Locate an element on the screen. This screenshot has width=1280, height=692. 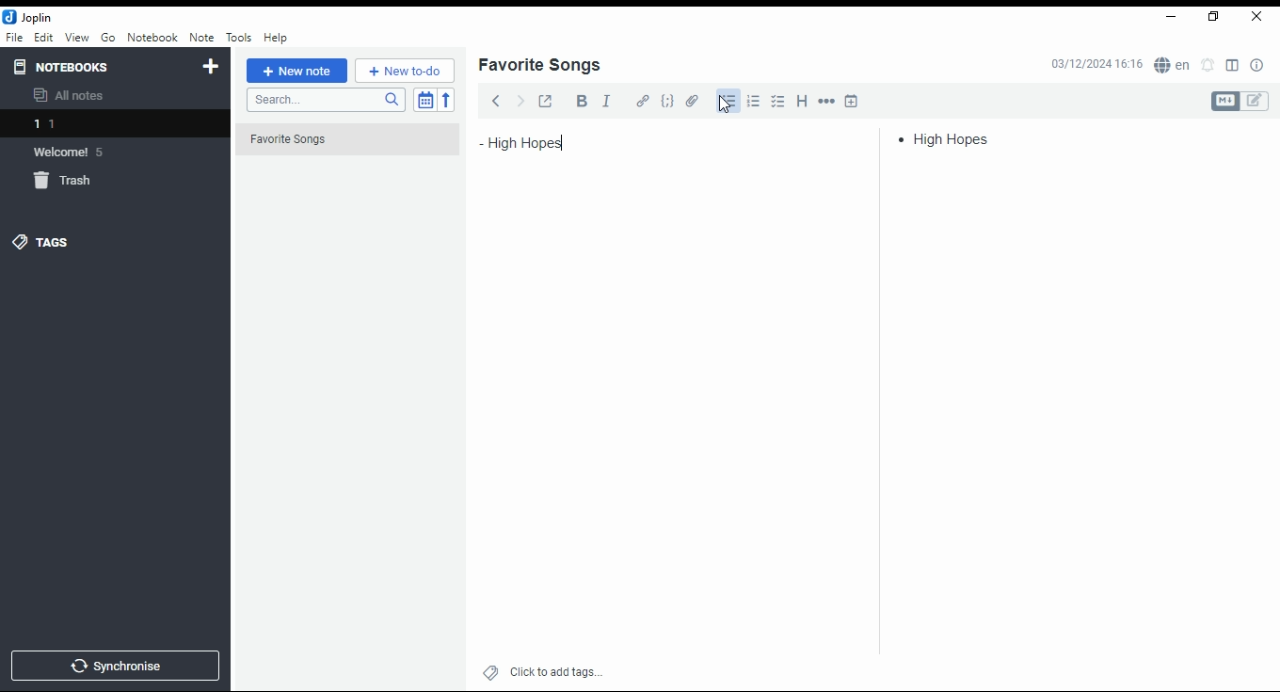
reverse sort order is located at coordinates (446, 100).